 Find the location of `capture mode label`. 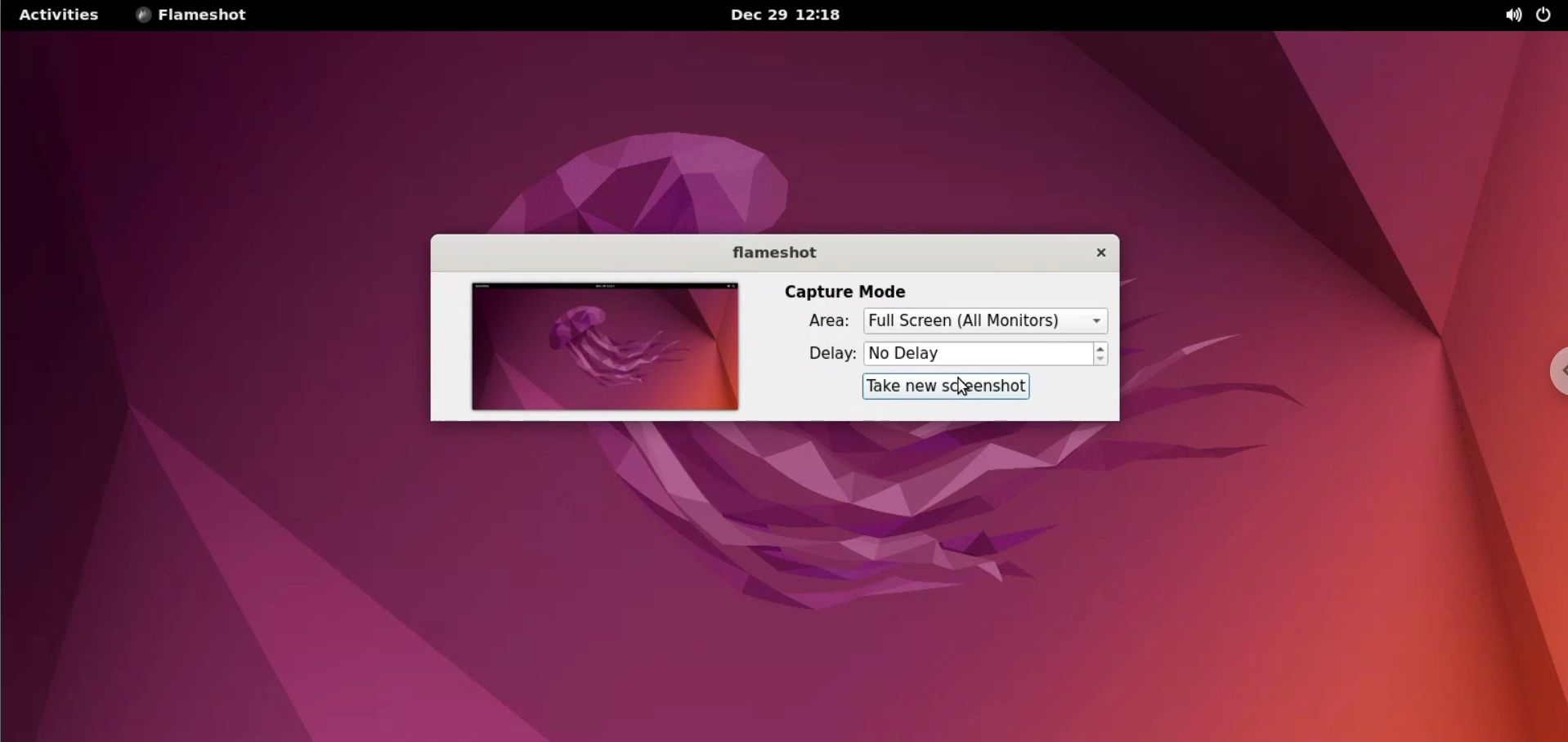

capture mode label is located at coordinates (847, 293).